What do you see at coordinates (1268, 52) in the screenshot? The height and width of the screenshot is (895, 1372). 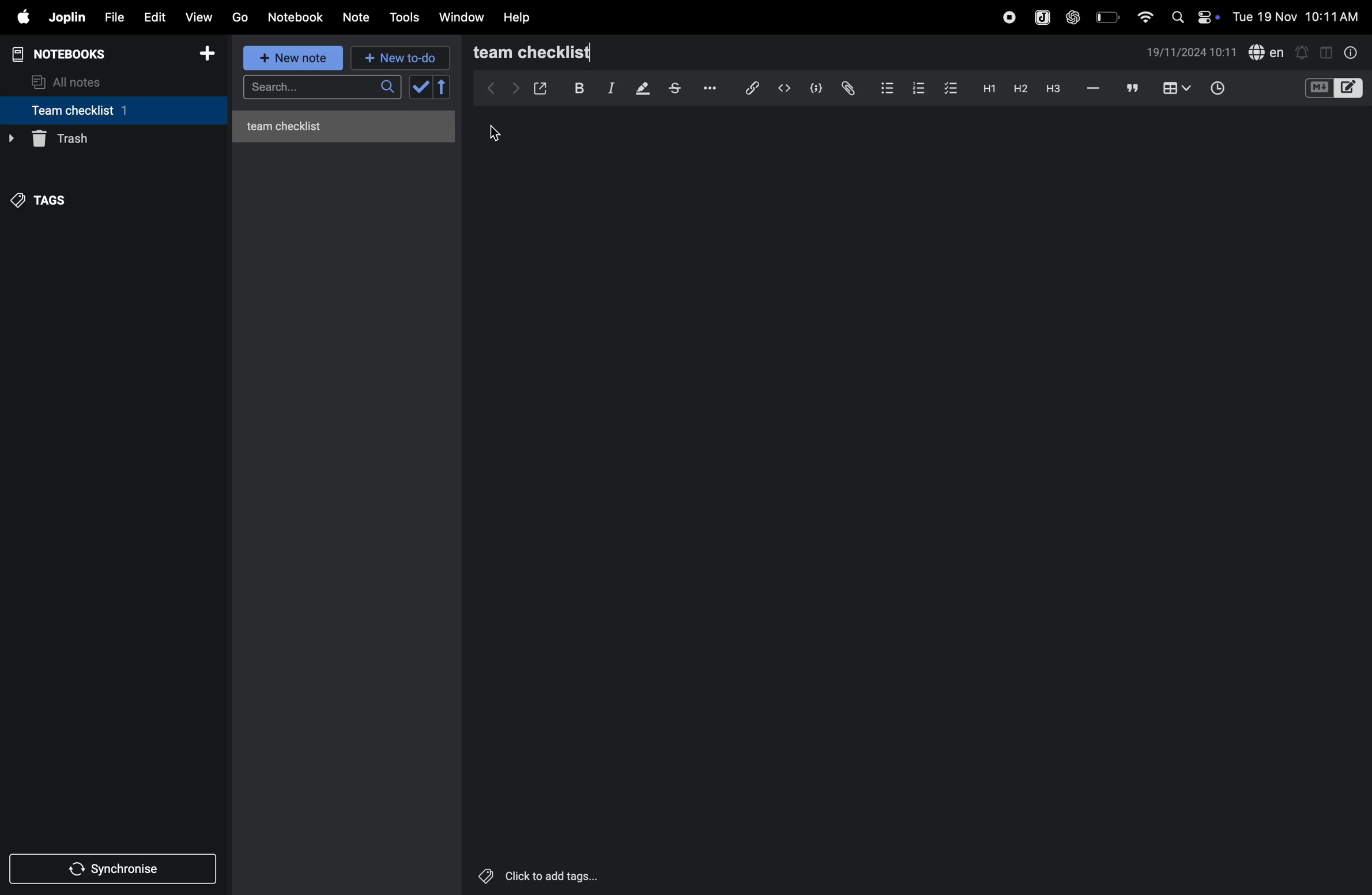 I see `spell check` at bounding box center [1268, 52].